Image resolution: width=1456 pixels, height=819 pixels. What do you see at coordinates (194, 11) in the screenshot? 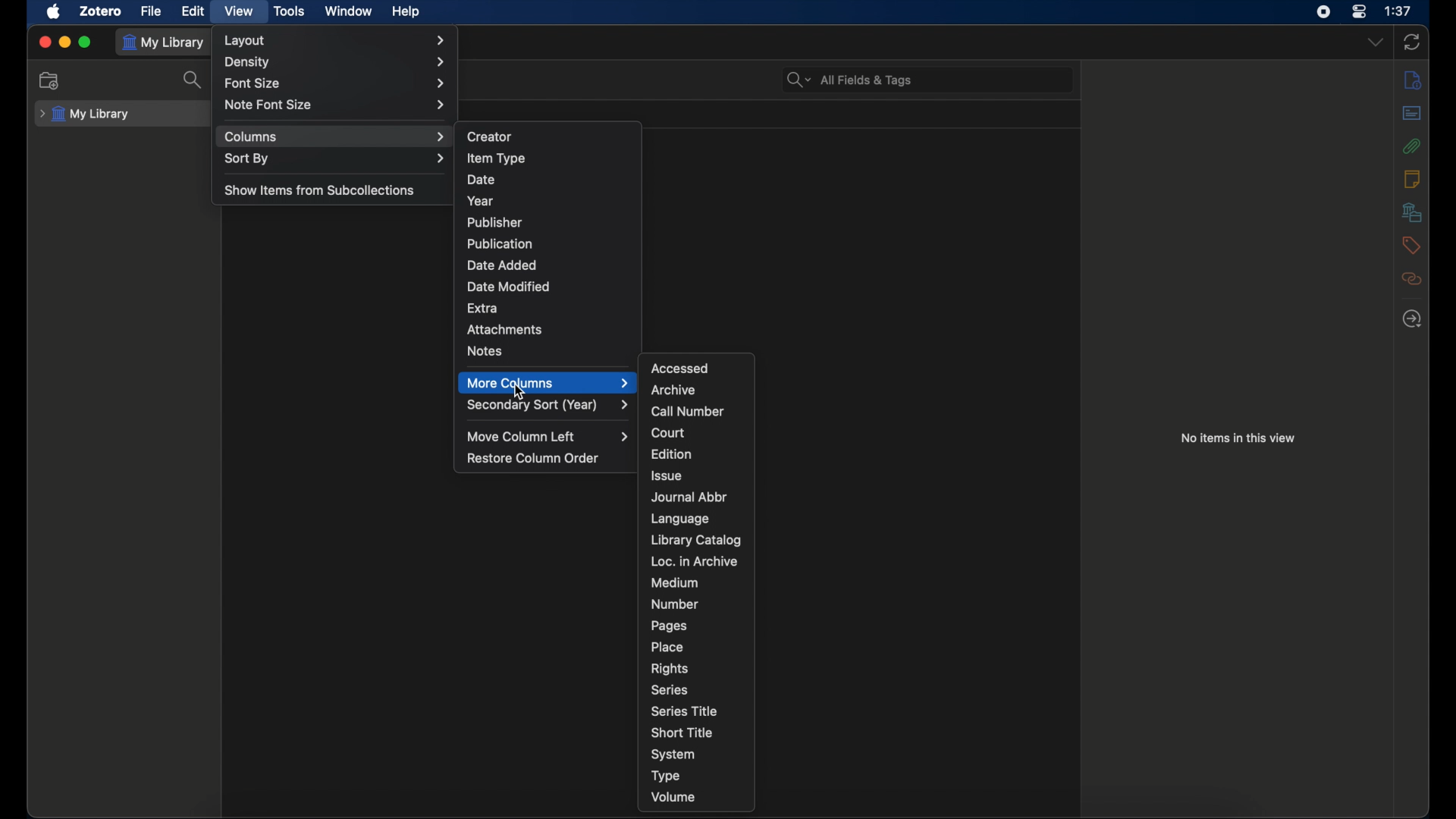
I see `edit` at bounding box center [194, 11].